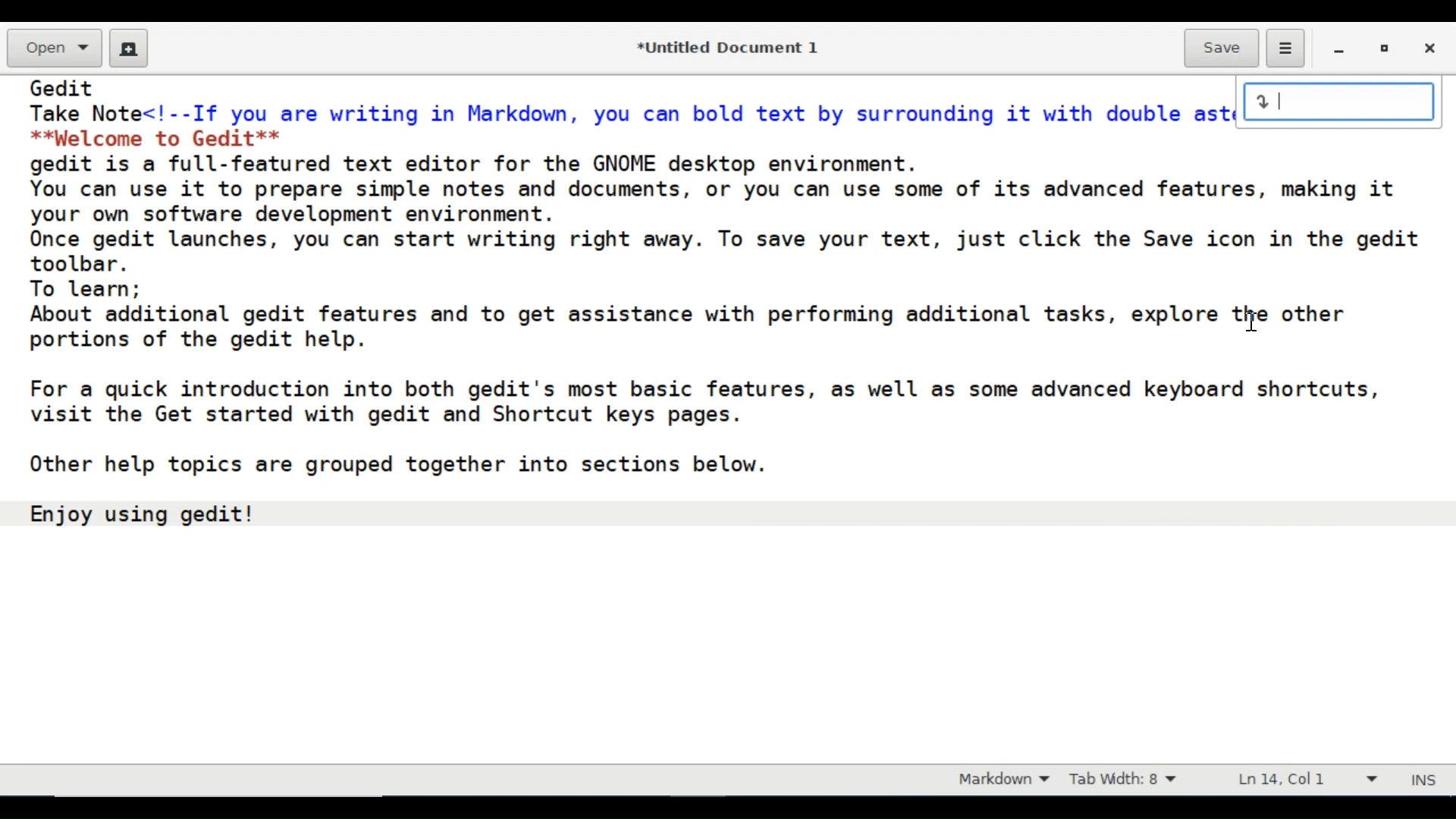 The width and height of the screenshot is (1456, 819). I want to click on Open, so click(53, 49).